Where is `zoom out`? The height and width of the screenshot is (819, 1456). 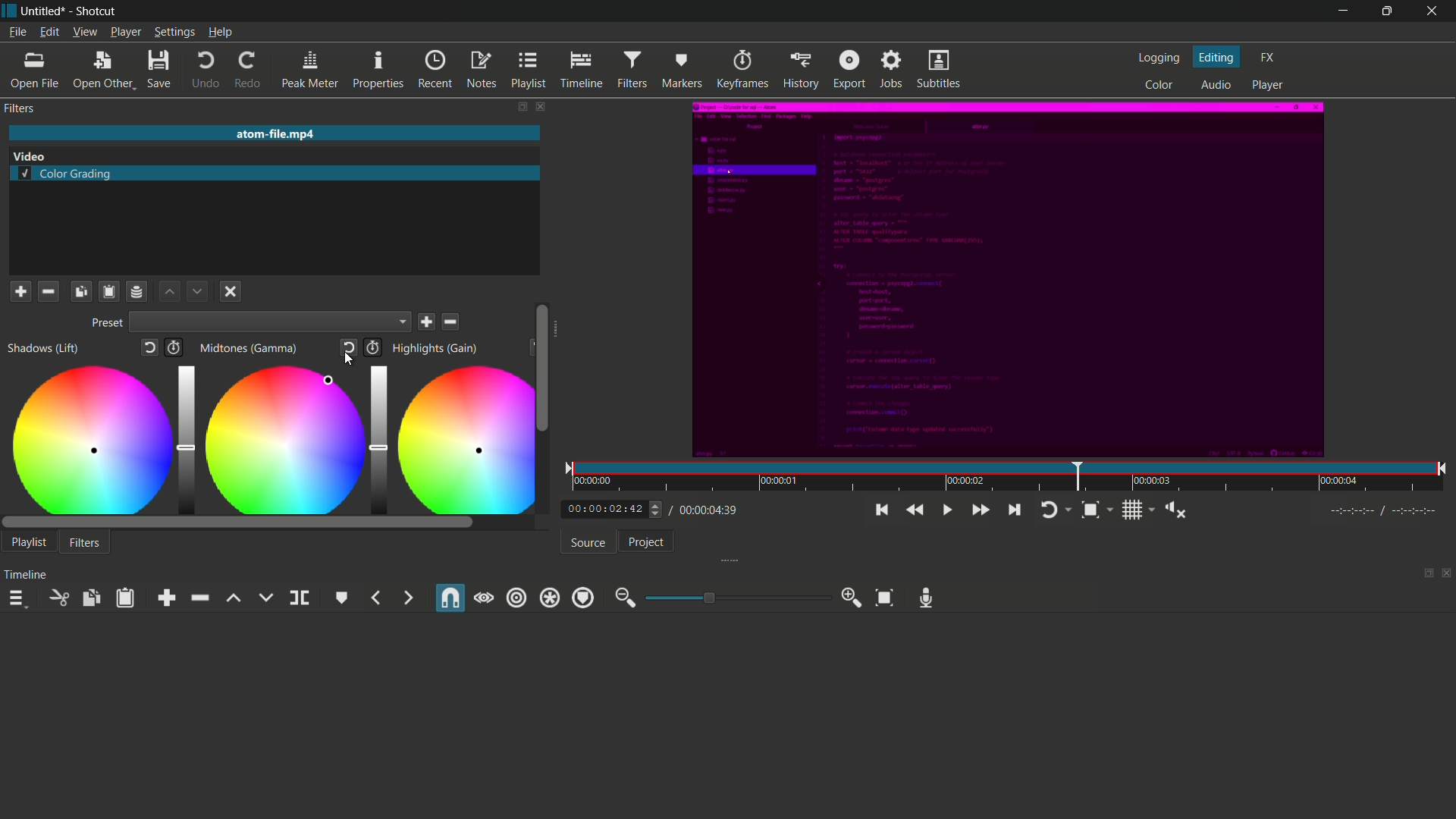
zoom out is located at coordinates (624, 598).